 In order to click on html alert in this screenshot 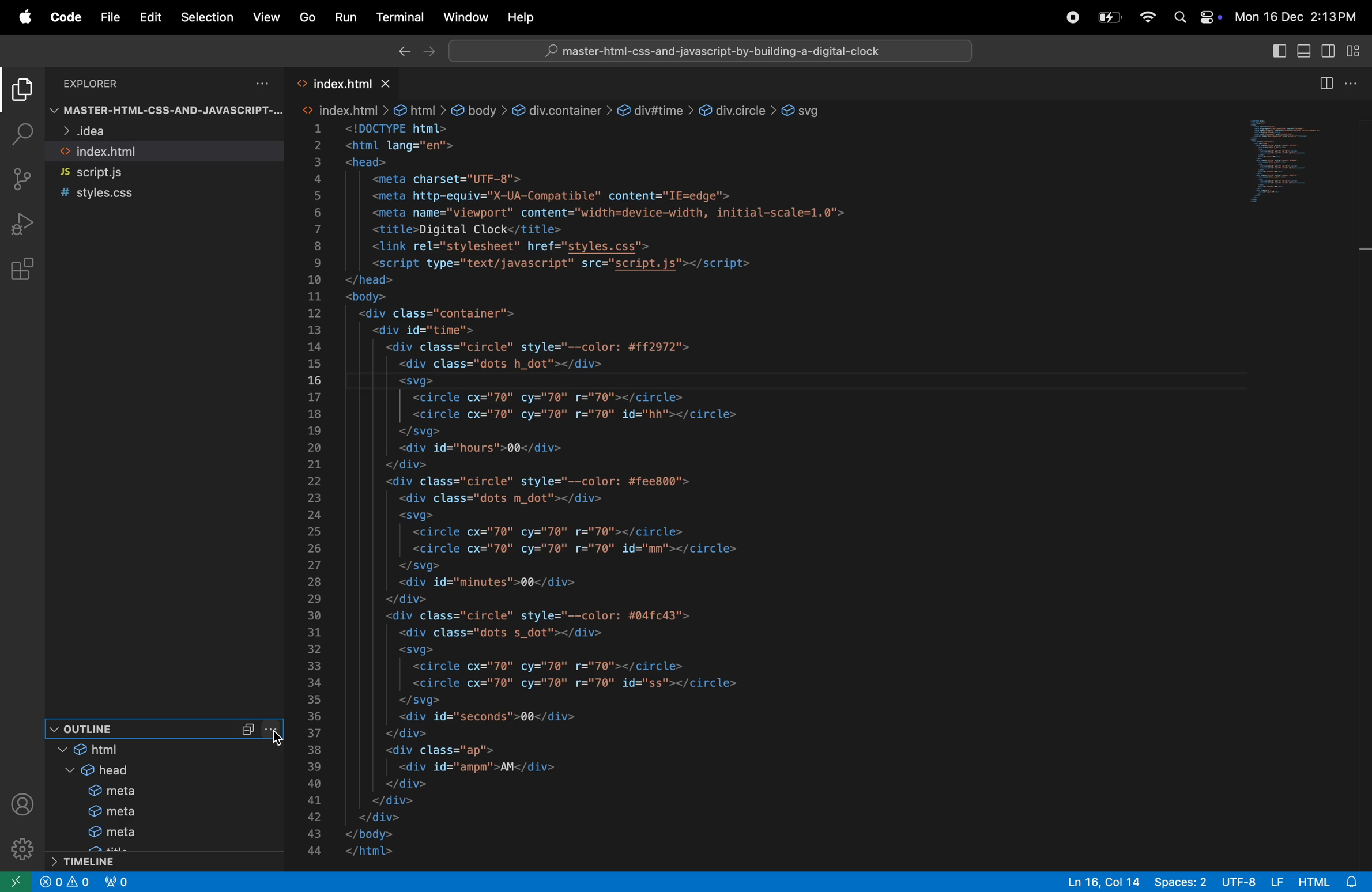, I will do `click(1328, 882)`.